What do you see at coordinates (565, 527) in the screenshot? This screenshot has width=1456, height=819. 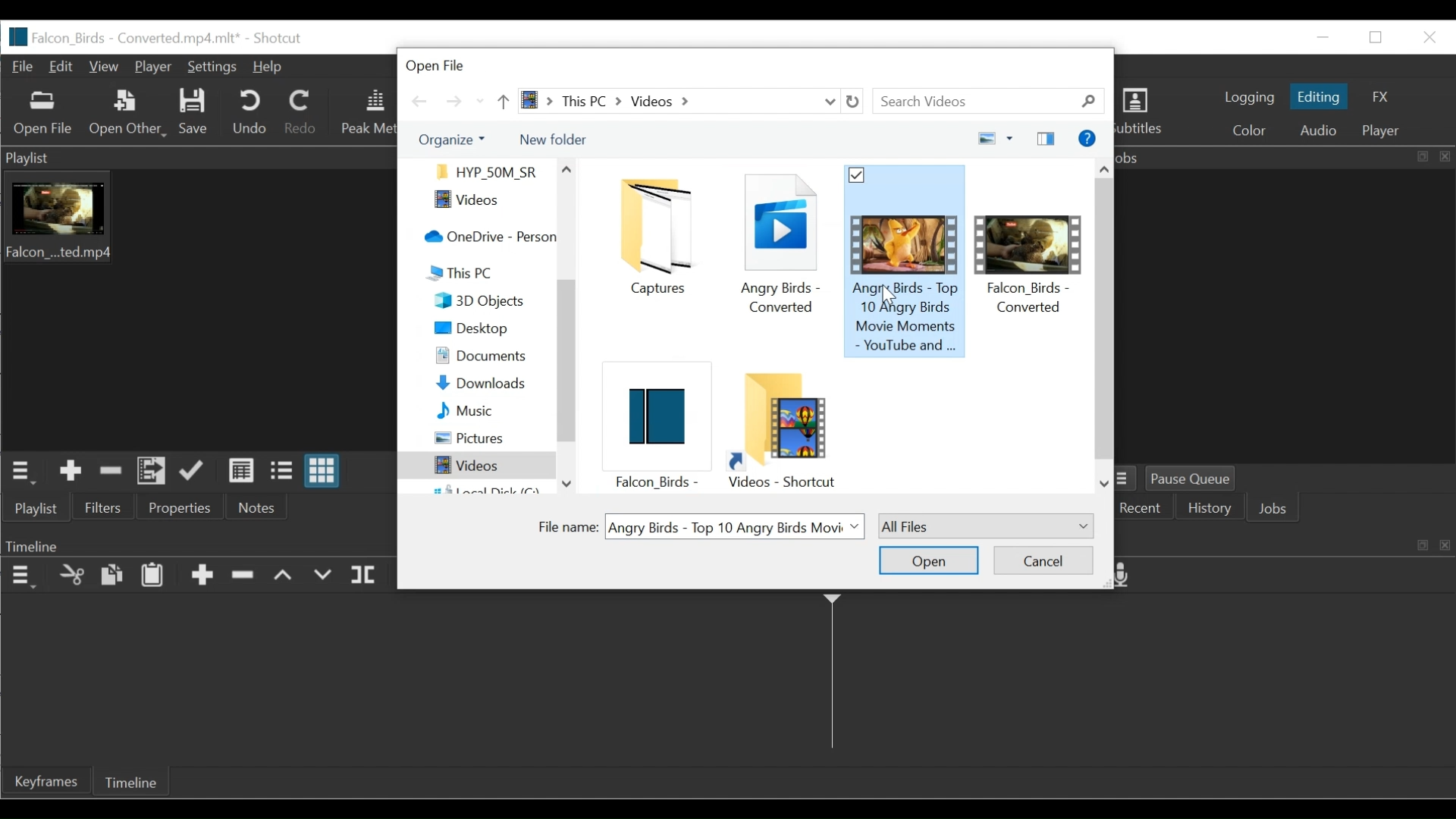 I see `File name` at bounding box center [565, 527].